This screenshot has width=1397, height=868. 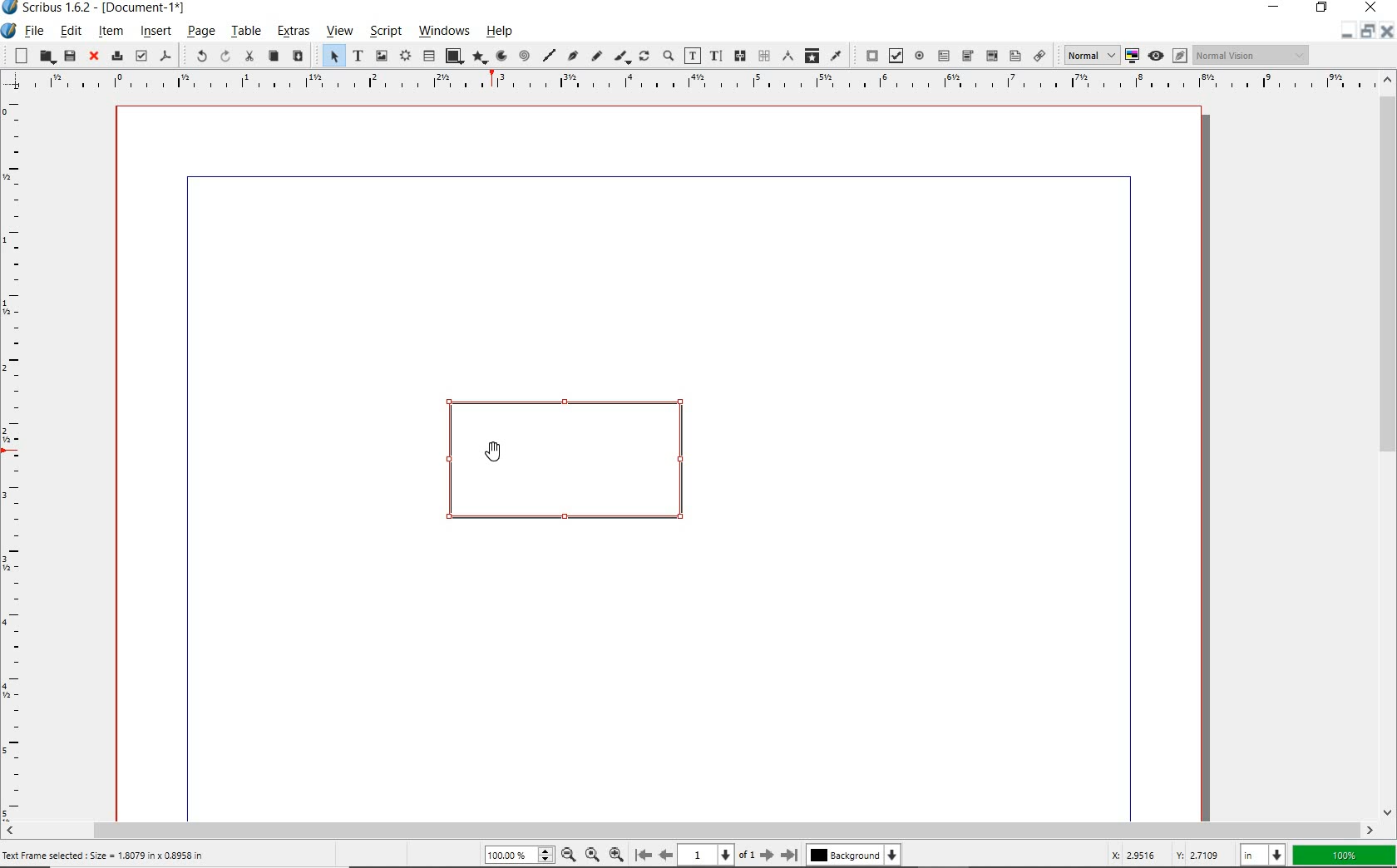 What do you see at coordinates (768, 855) in the screenshot?
I see `Next Page` at bounding box center [768, 855].